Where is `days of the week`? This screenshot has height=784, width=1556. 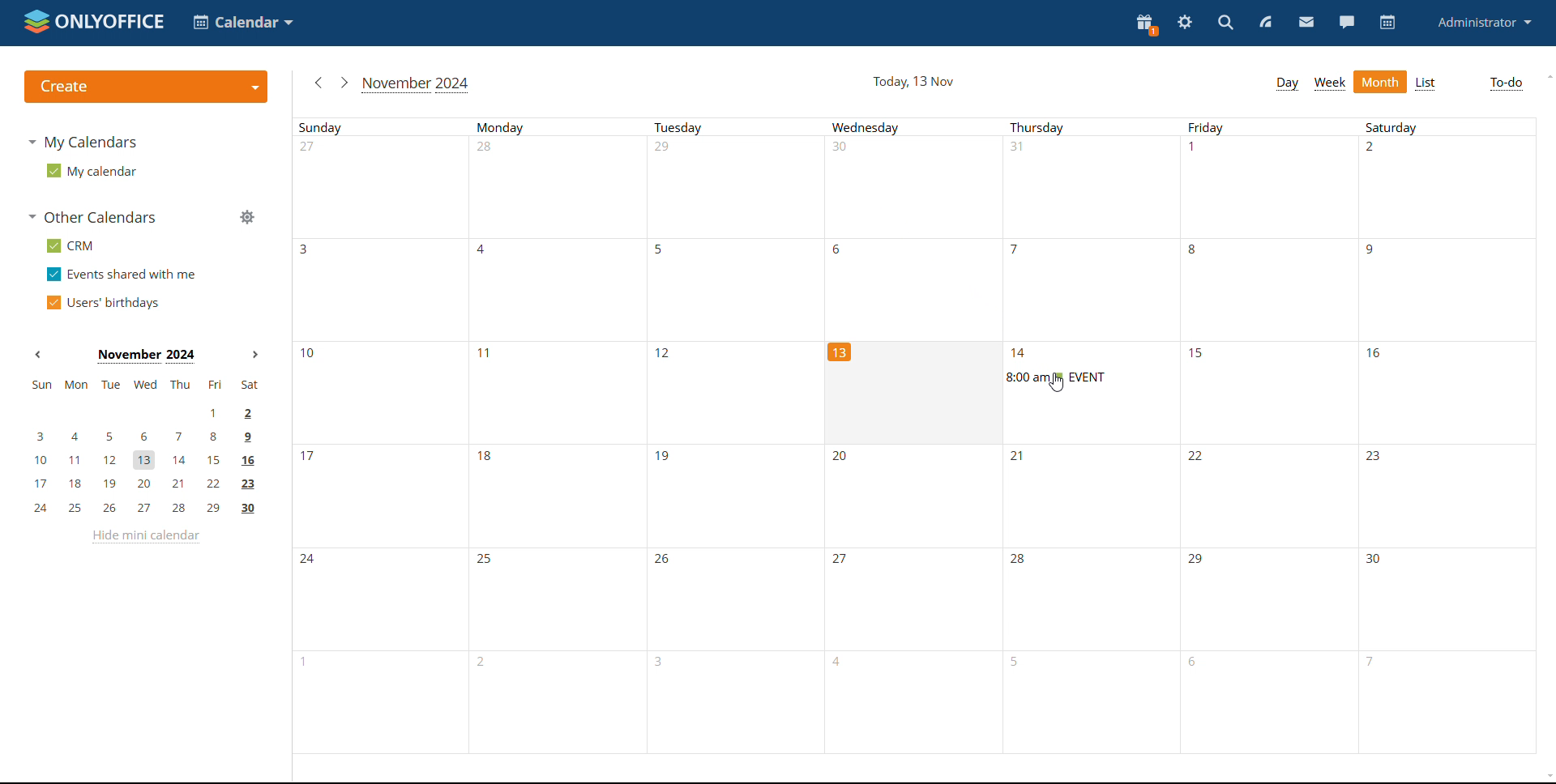 days of the week is located at coordinates (914, 126).